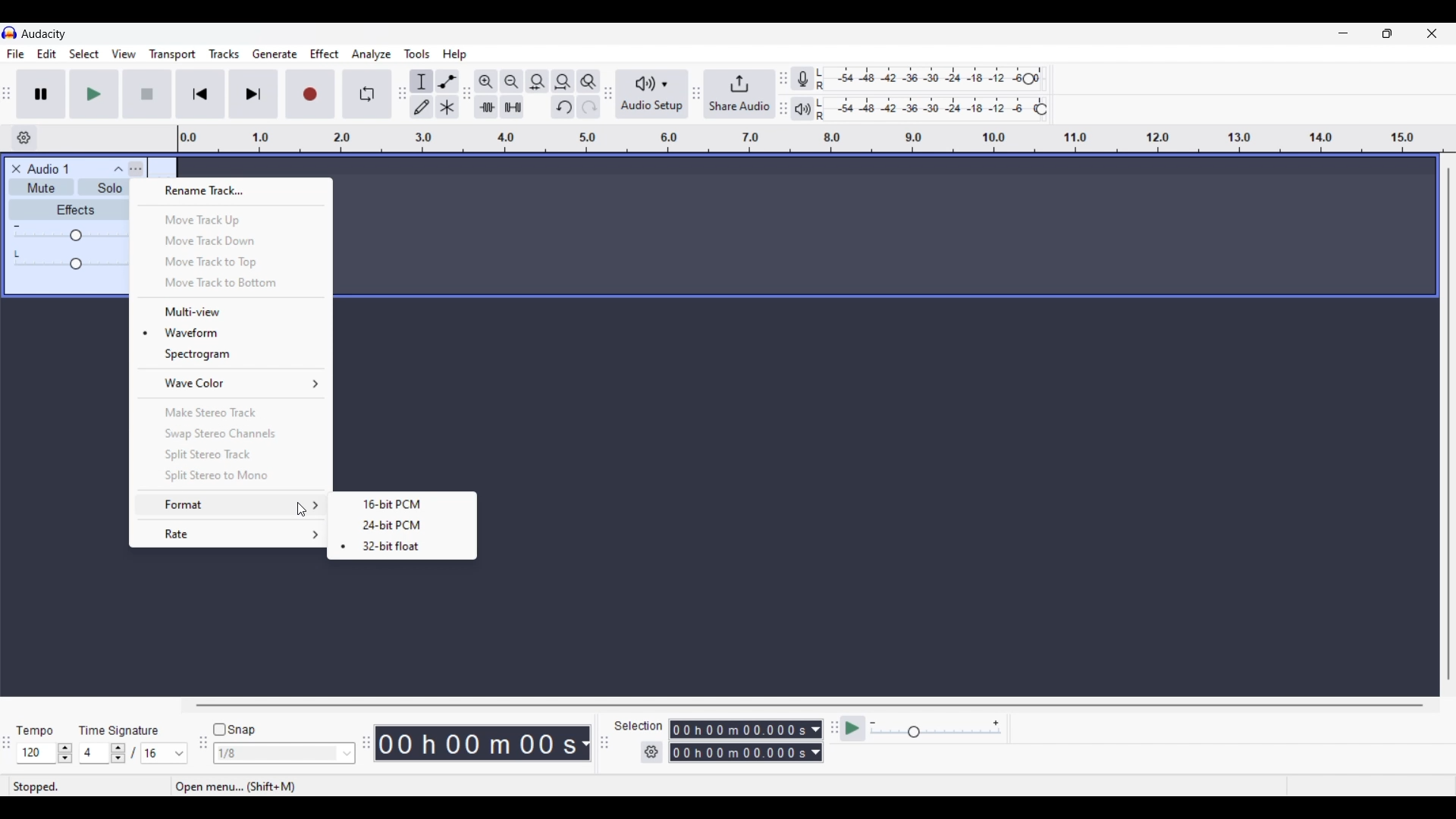  What do you see at coordinates (936, 733) in the screenshot?
I see `Slider to change playback speed` at bounding box center [936, 733].